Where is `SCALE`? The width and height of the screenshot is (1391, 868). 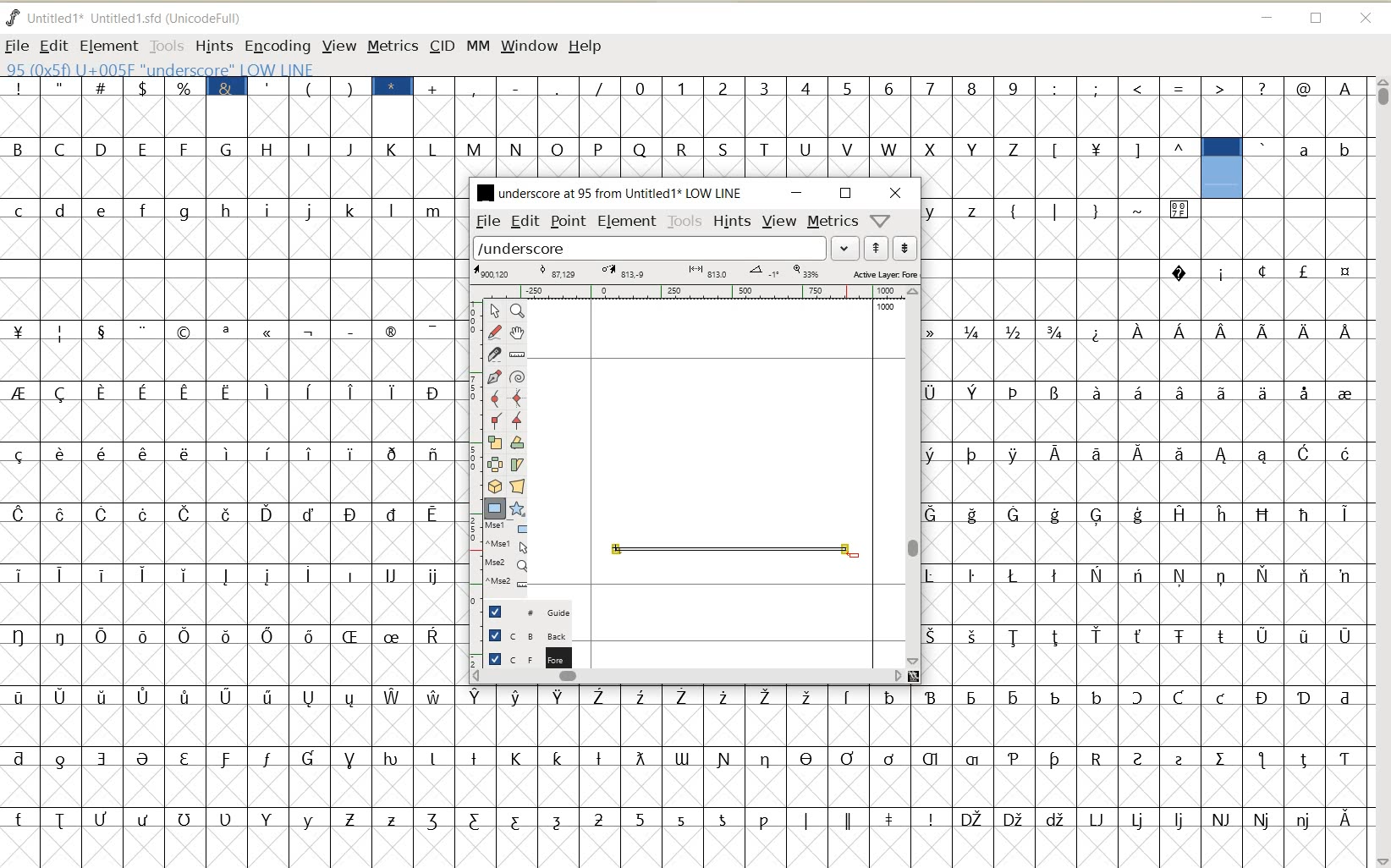 SCALE is located at coordinates (471, 447).